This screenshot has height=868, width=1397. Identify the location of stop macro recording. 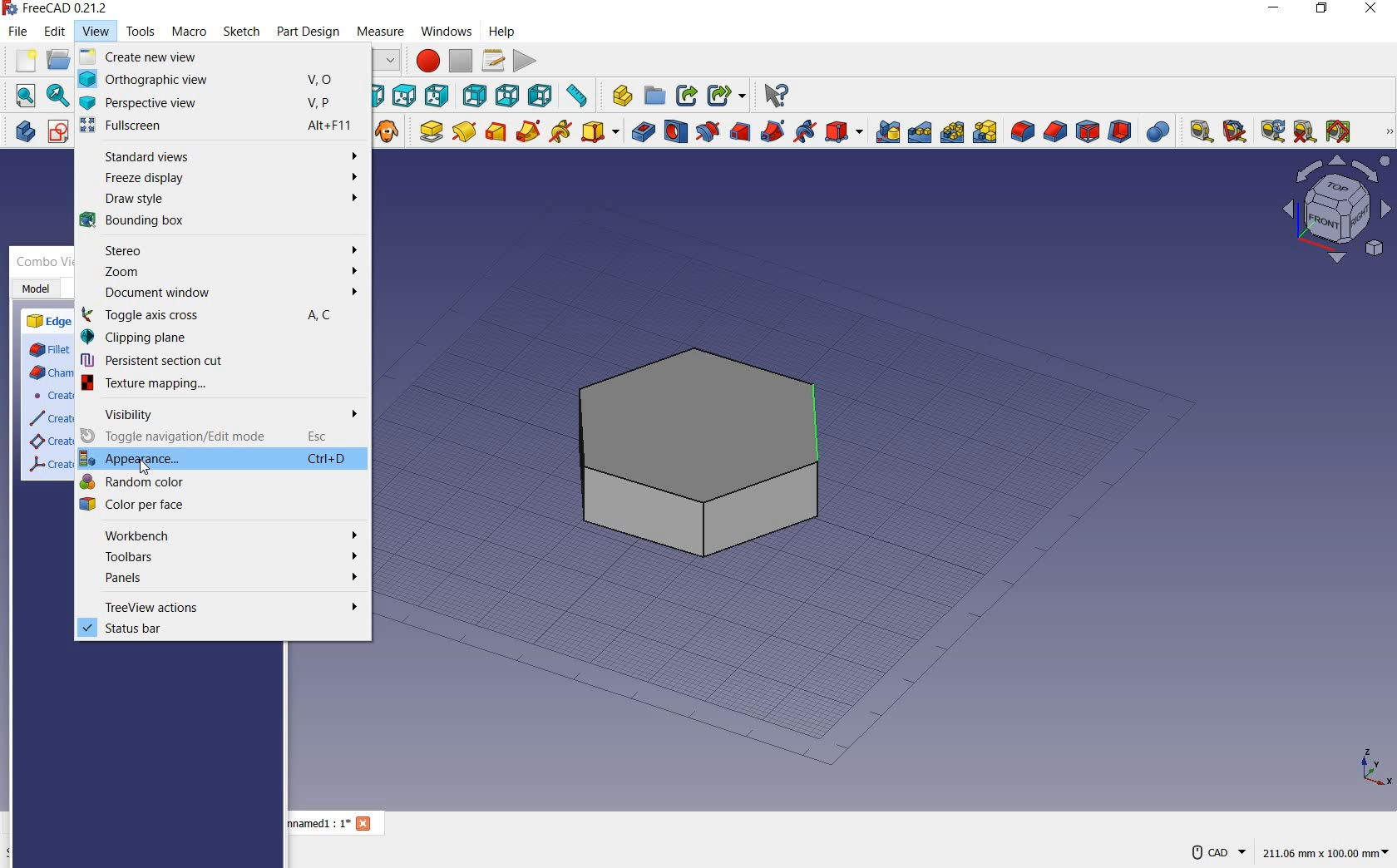
(461, 61).